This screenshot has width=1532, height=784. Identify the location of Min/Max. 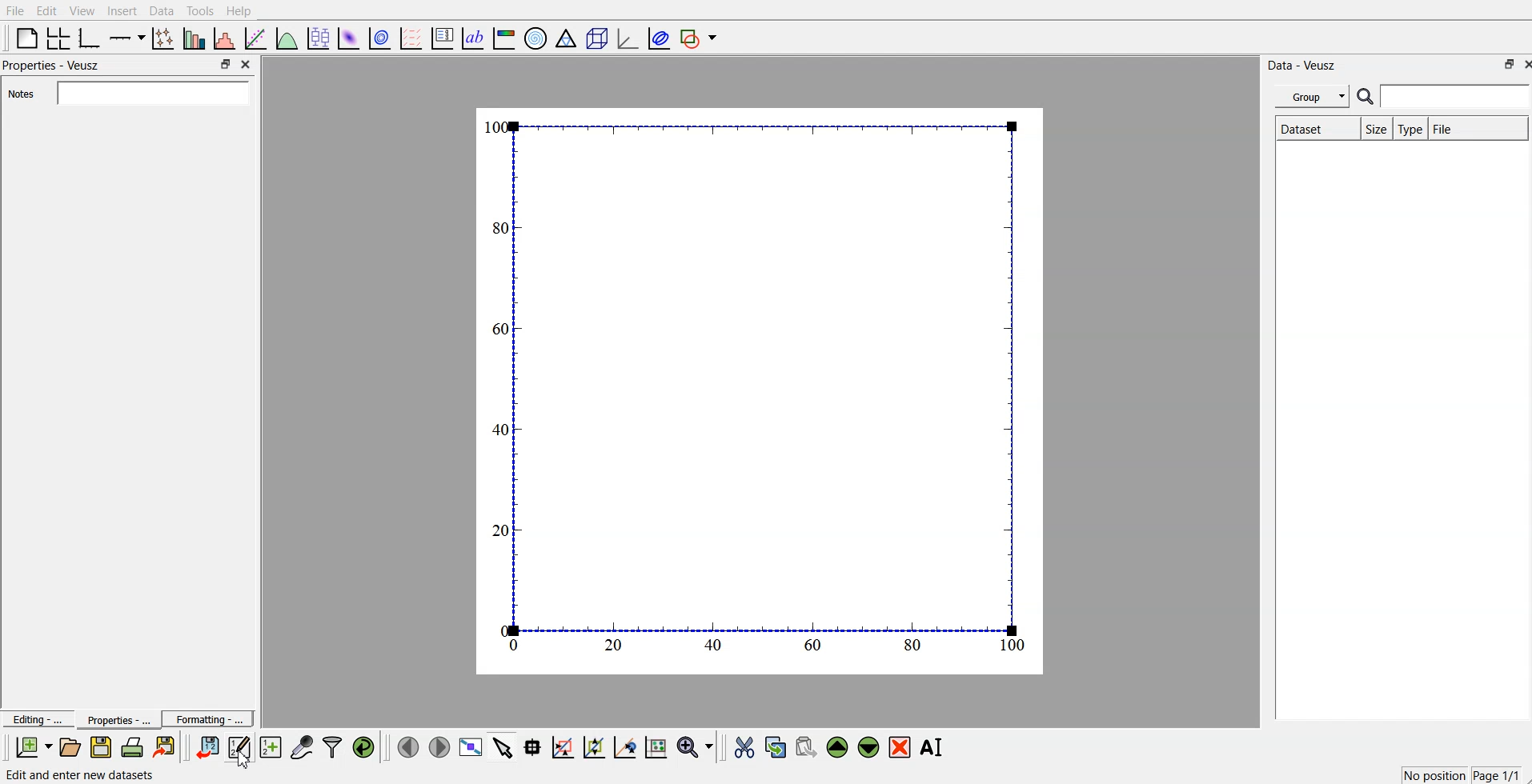
(226, 64).